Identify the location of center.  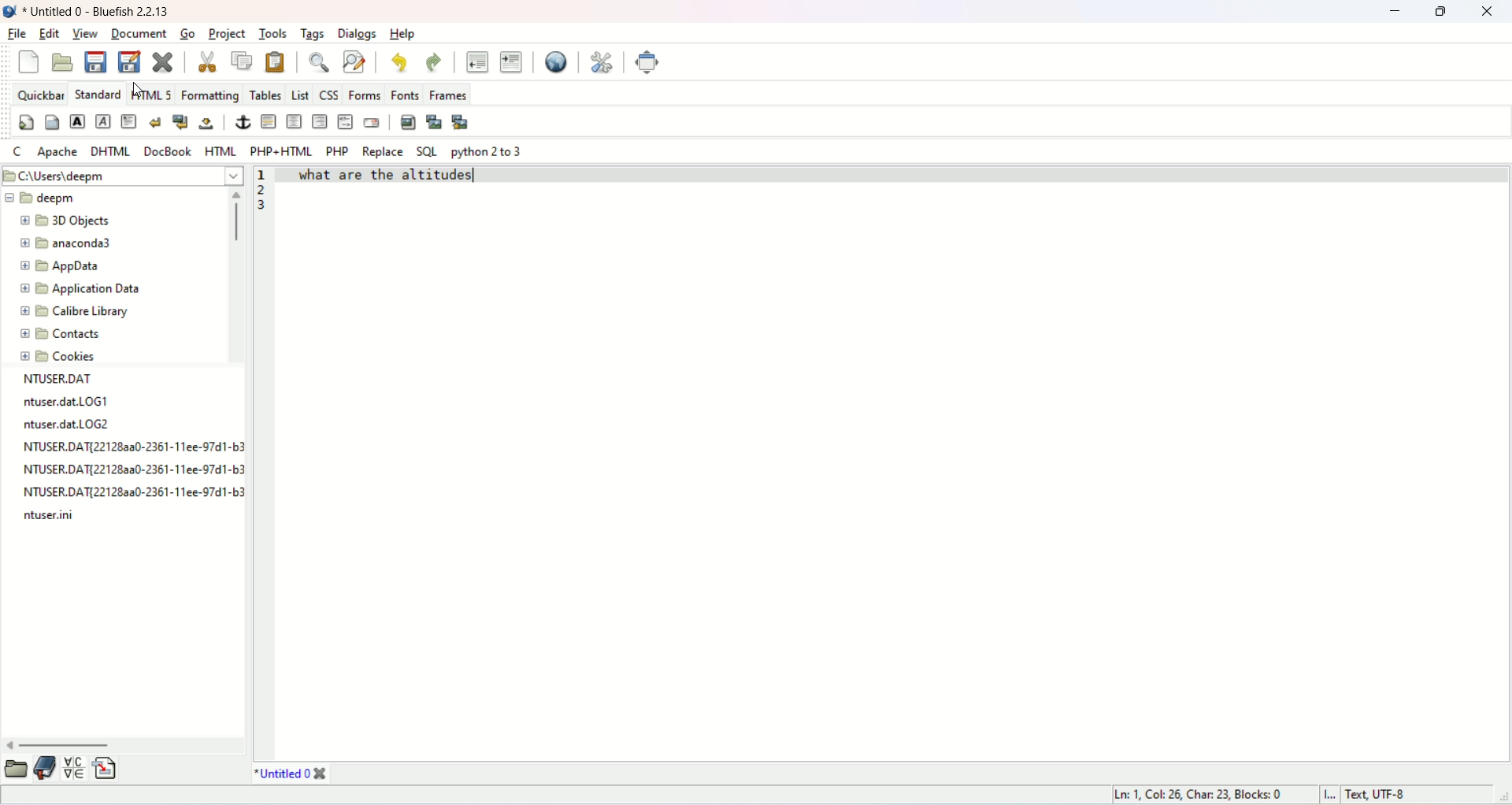
(295, 122).